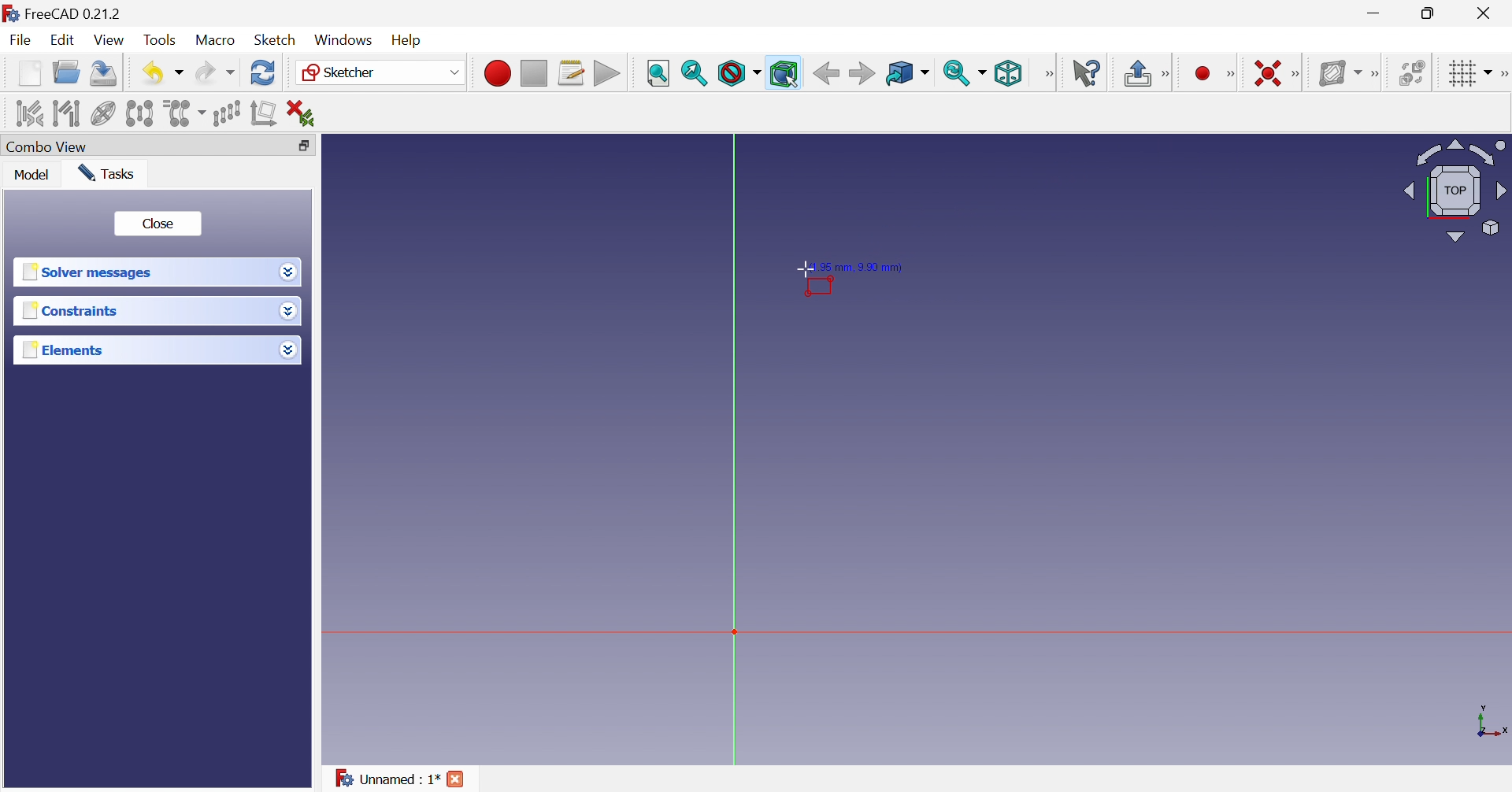  Describe the element at coordinates (572, 74) in the screenshot. I see `Macros...` at that location.